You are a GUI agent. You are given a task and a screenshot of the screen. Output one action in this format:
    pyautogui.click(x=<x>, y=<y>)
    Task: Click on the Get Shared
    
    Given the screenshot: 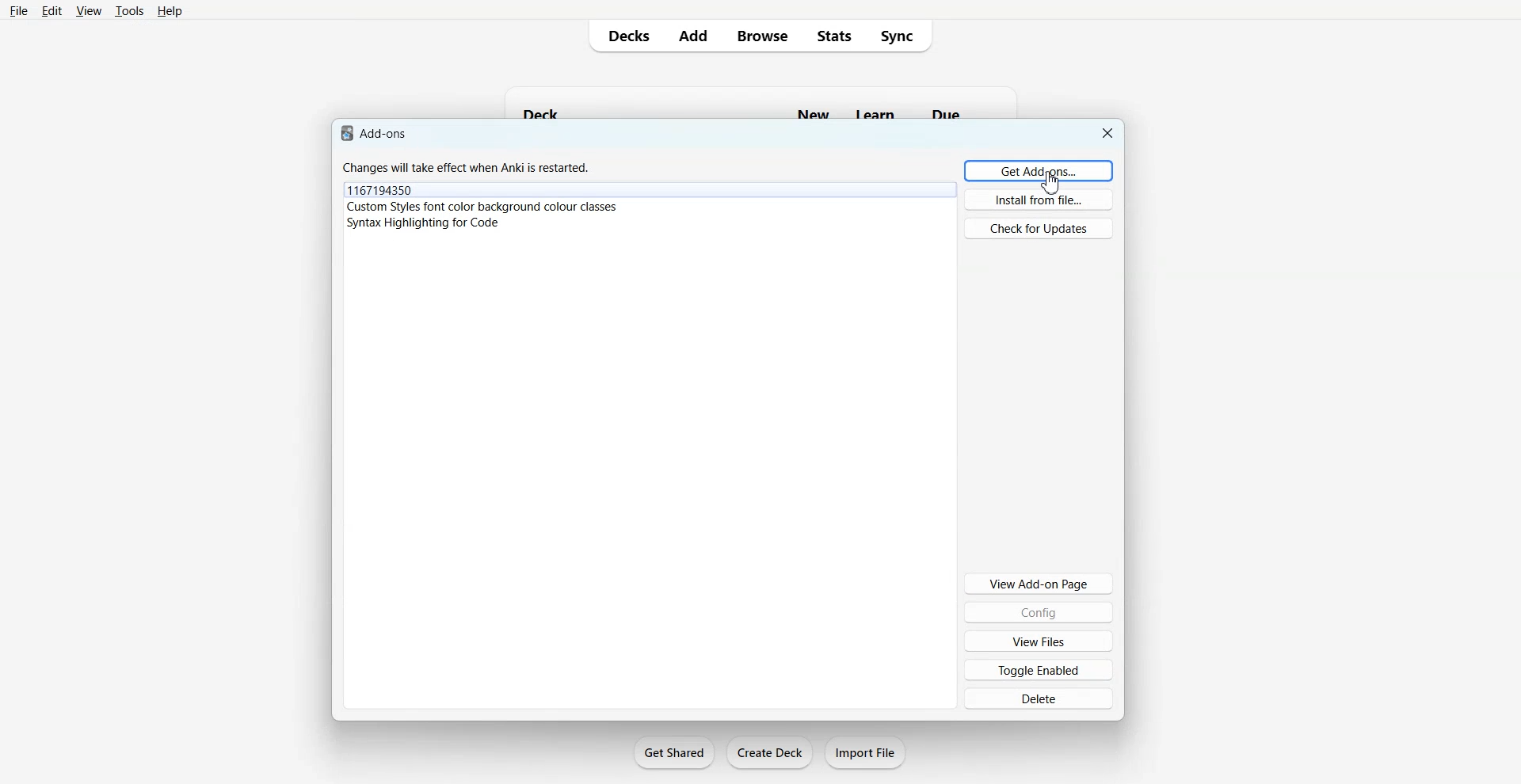 What is the action you would take?
    pyautogui.click(x=674, y=752)
    